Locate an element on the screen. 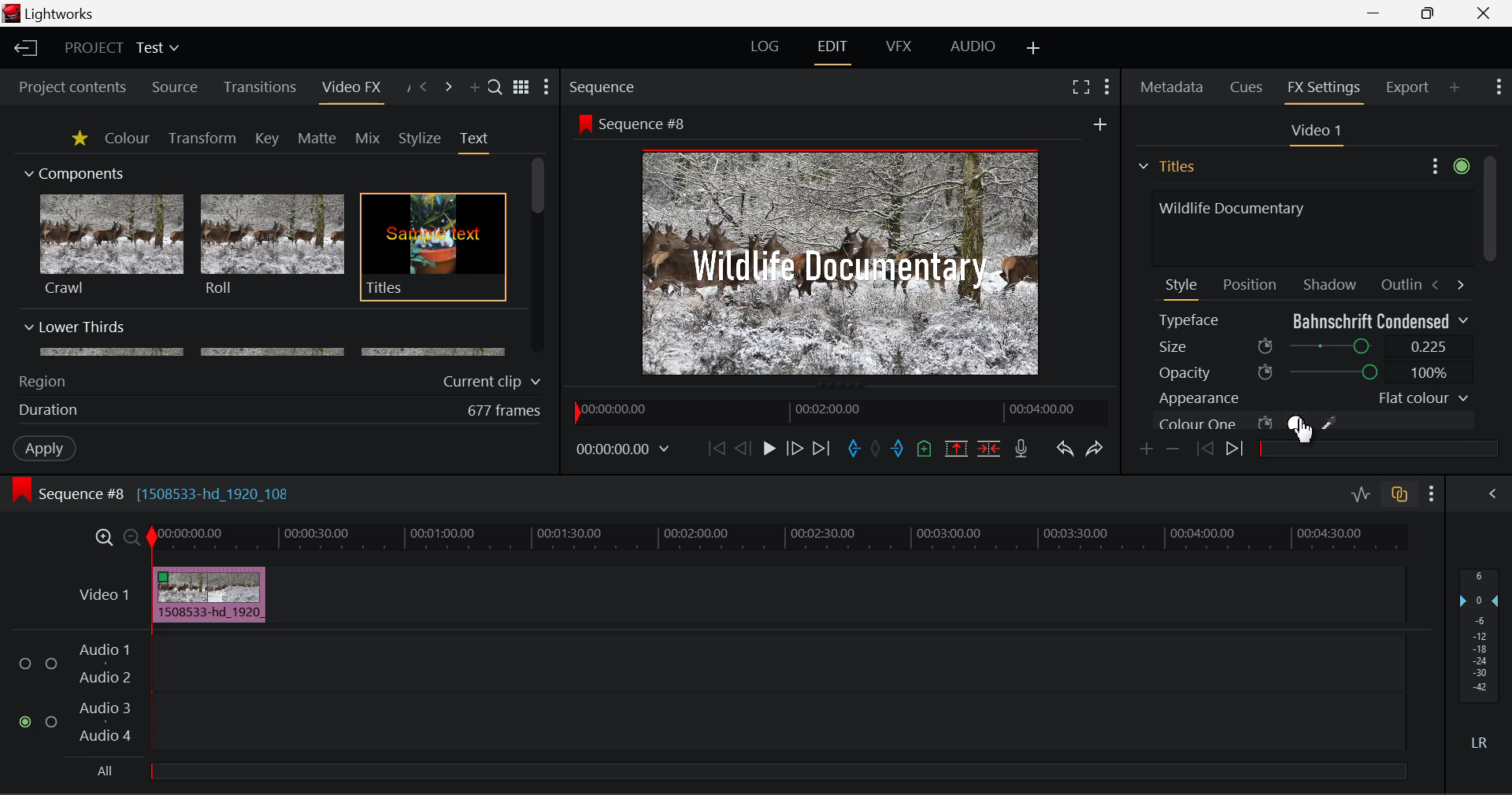  Decibel Level is located at coordinates (1480, 663).